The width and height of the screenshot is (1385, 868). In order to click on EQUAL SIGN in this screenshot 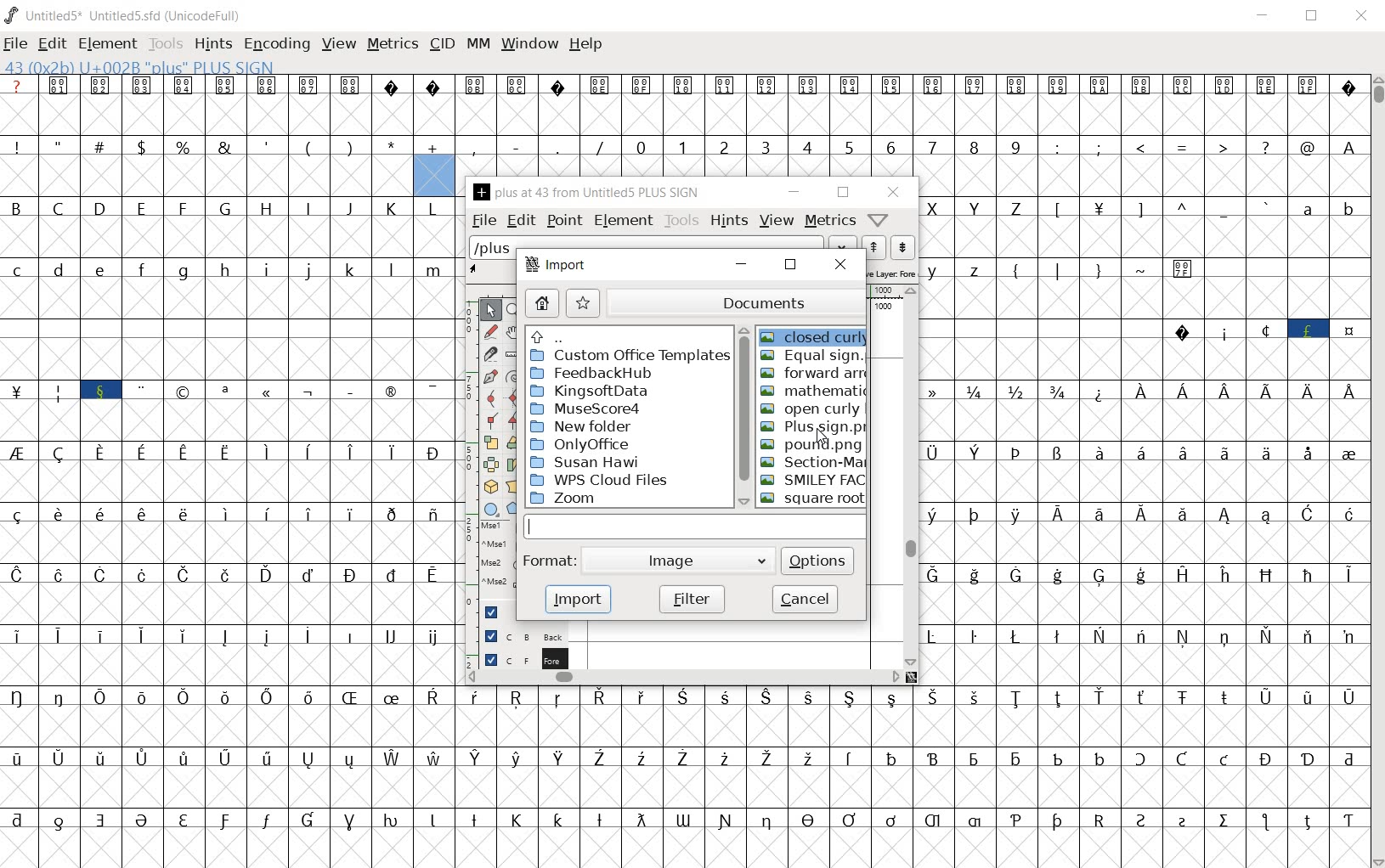, I will do `click(812, 357)`.